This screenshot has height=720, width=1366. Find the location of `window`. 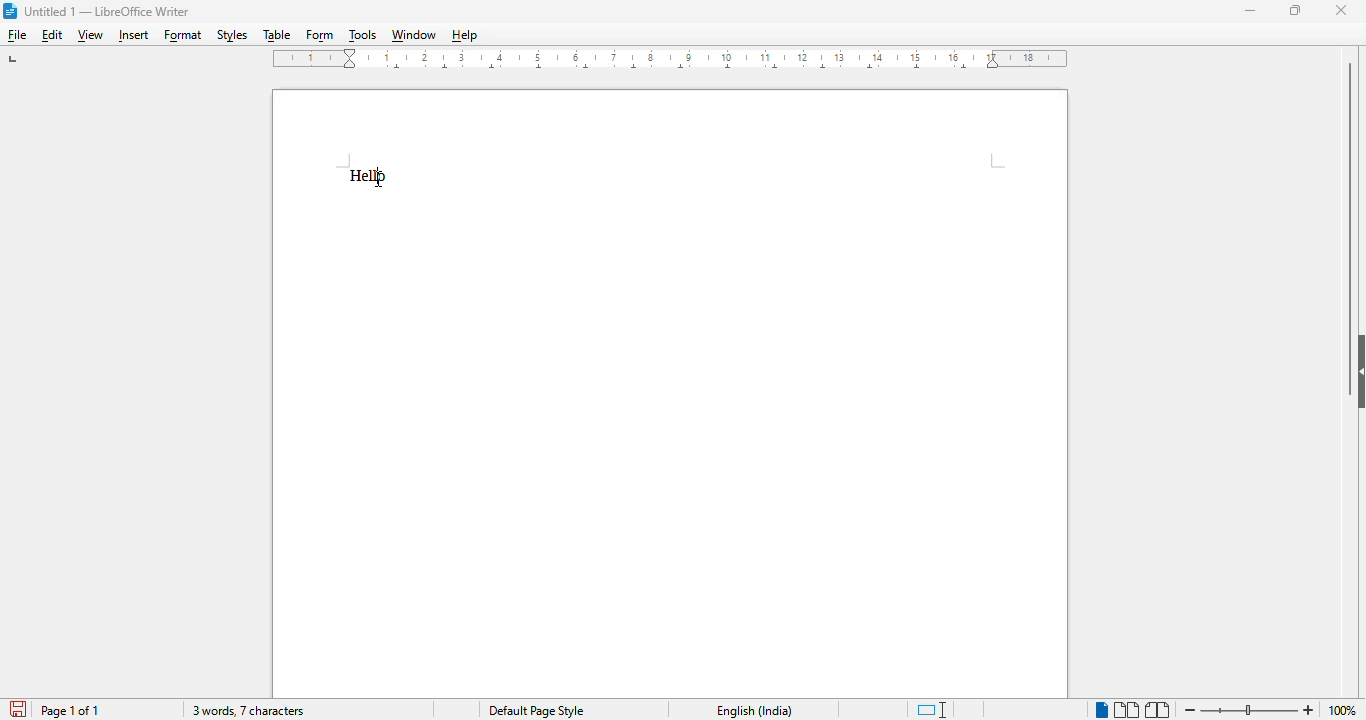

window is located at coordinates (413, 35).